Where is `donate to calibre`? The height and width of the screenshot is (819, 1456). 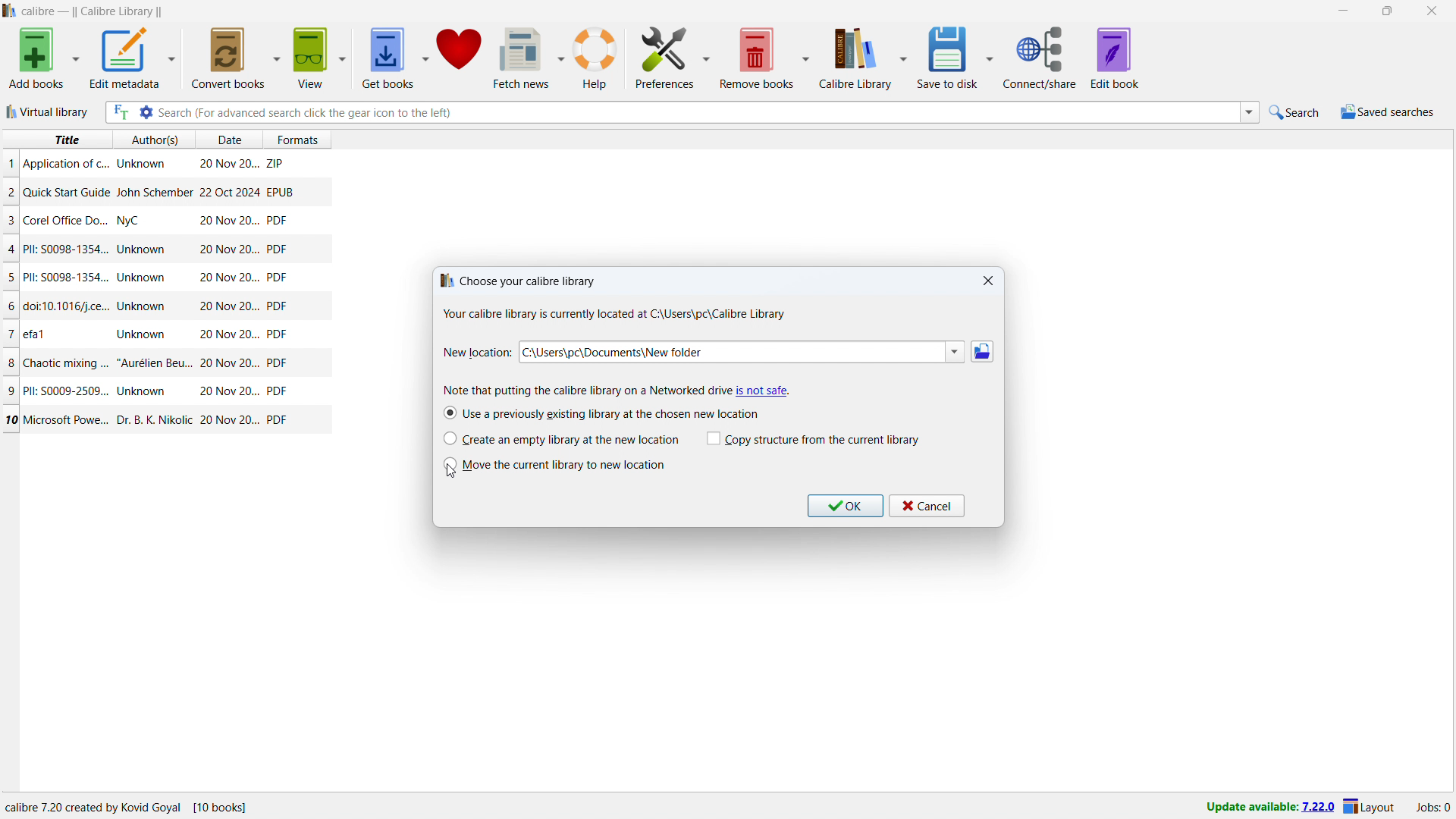 donate to calibre is located at coordinates (460, 57).